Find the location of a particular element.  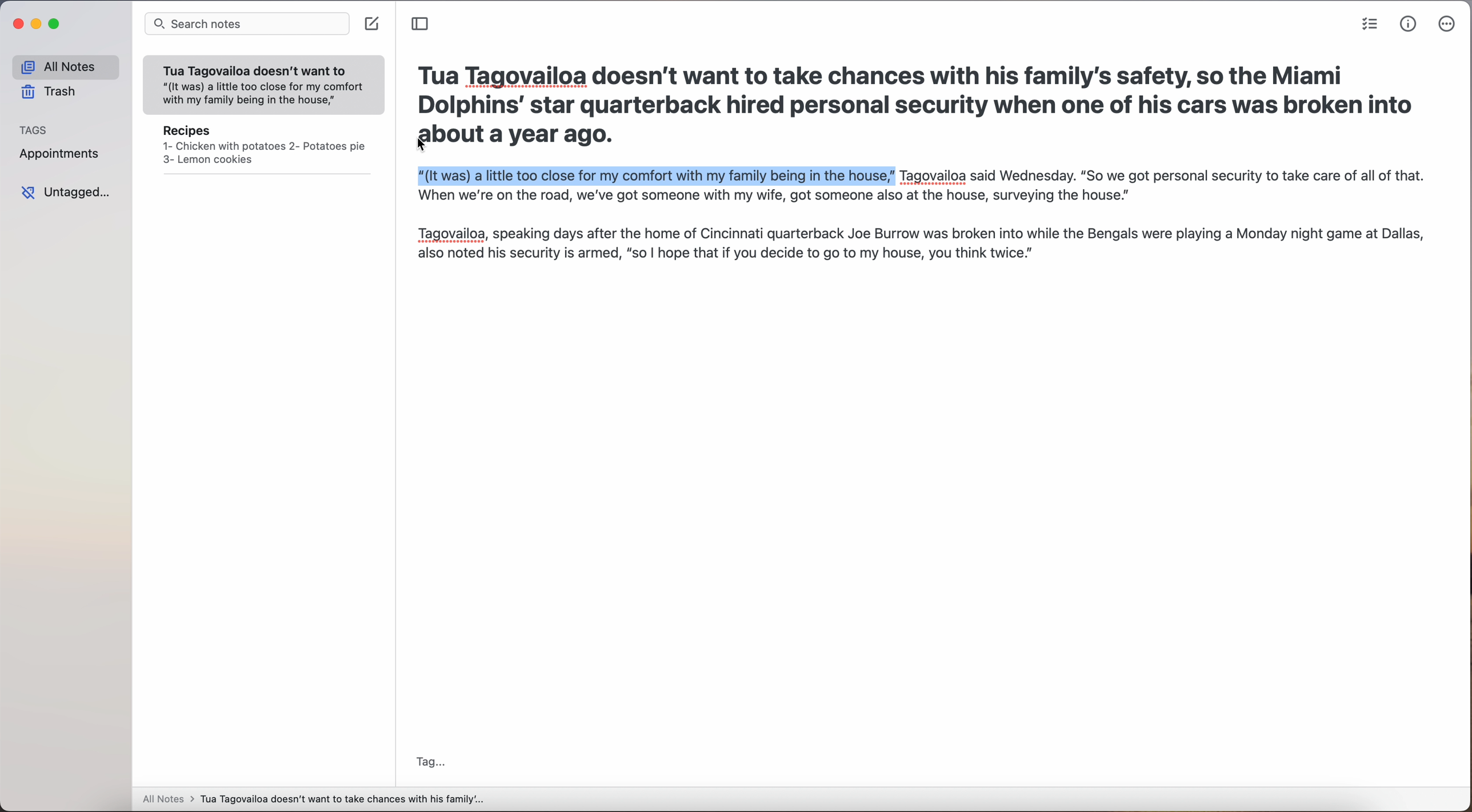

untagged... is located at coordinates (63, 193).